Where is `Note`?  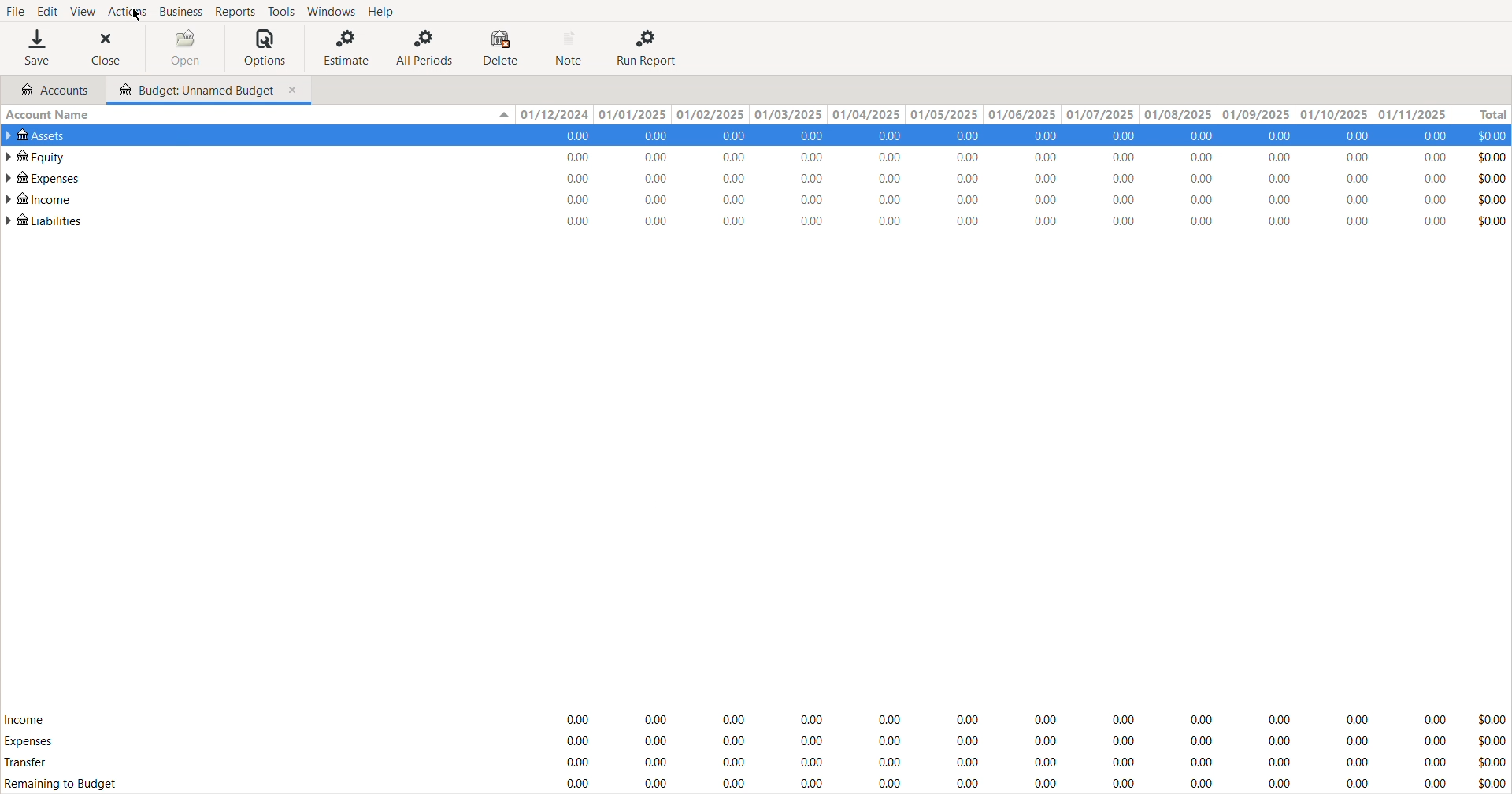
Note is located at coordinates (571, 48).